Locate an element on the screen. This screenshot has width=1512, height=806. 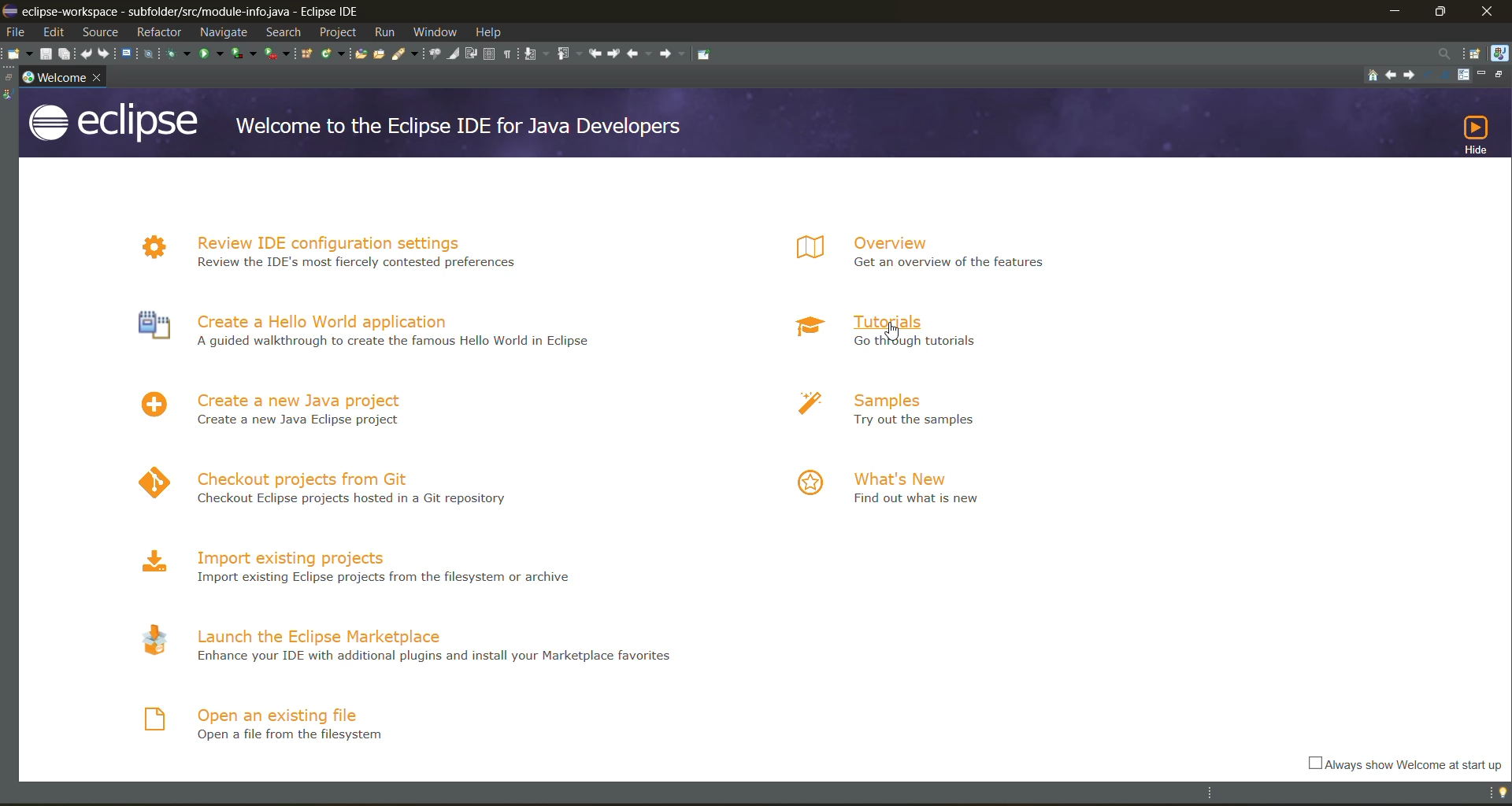
open perspective is located at coordinates (1476, 54).